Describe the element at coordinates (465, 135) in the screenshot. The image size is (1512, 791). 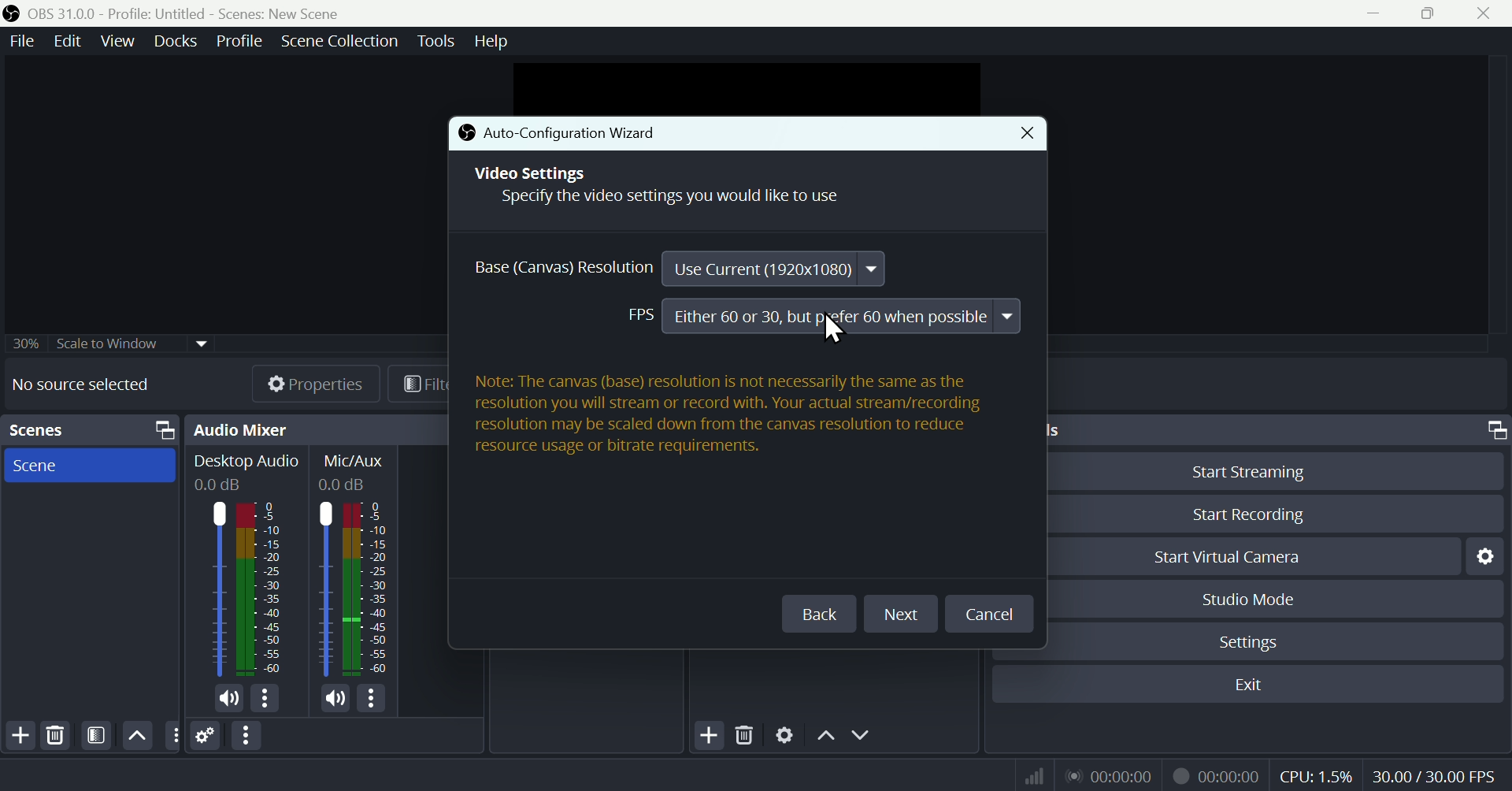
I see `icon` at that location.